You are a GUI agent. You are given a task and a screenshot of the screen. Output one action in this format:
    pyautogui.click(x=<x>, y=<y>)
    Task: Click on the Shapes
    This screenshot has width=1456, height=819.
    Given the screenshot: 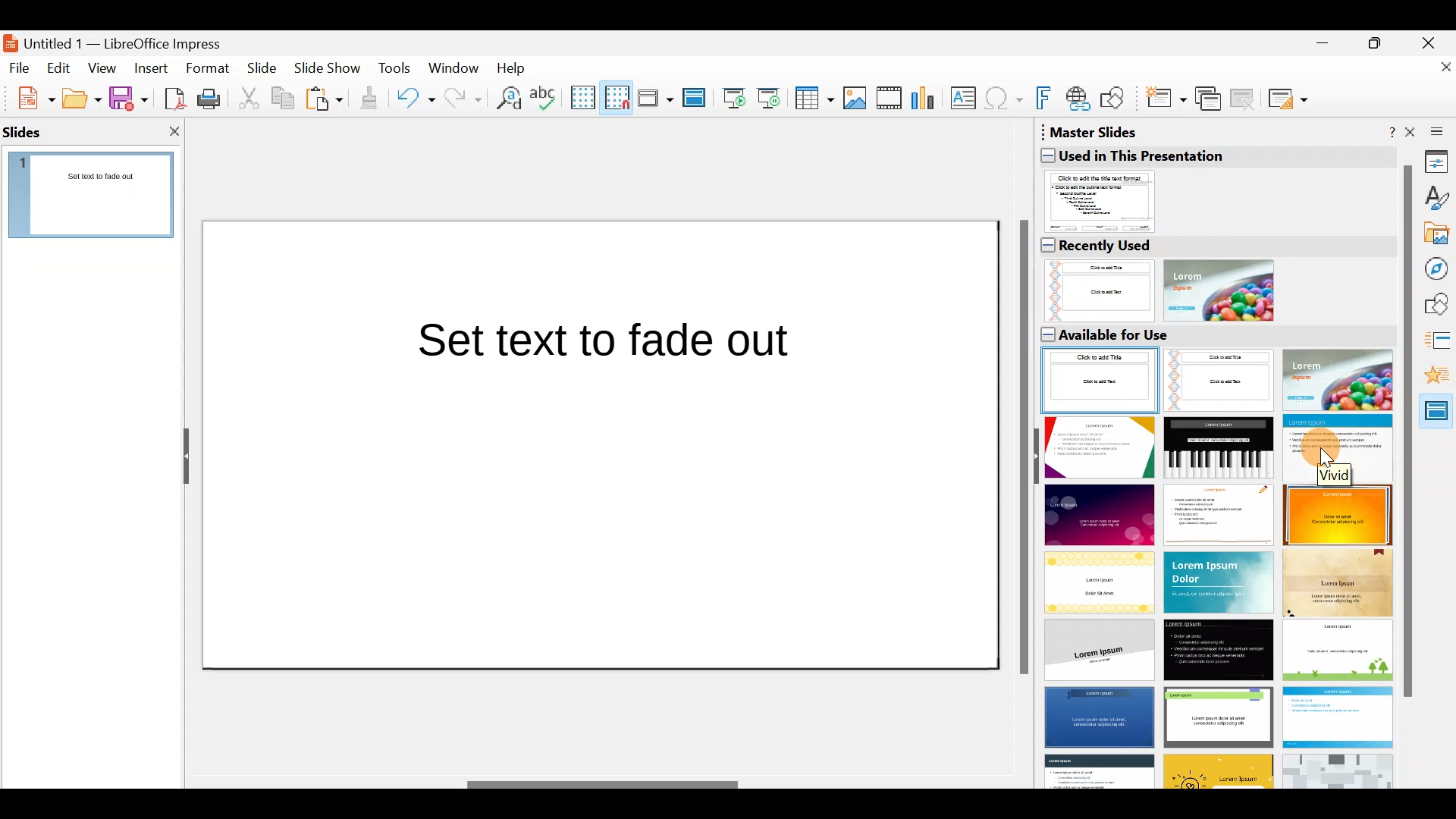 What is the action you would take?
    pyautogui.click(x=1438, y=306)
    